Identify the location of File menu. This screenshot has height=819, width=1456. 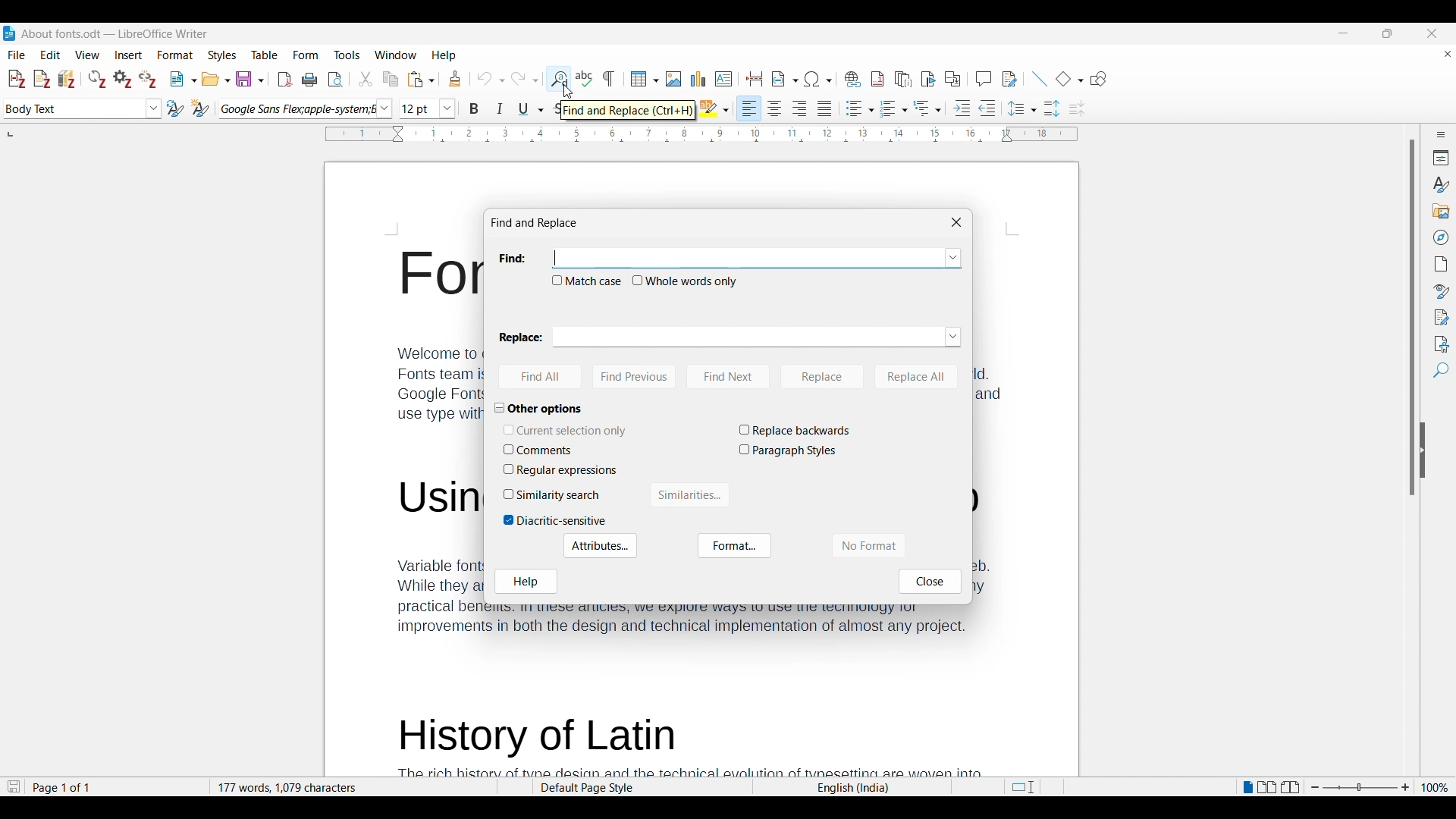
(17, 55).